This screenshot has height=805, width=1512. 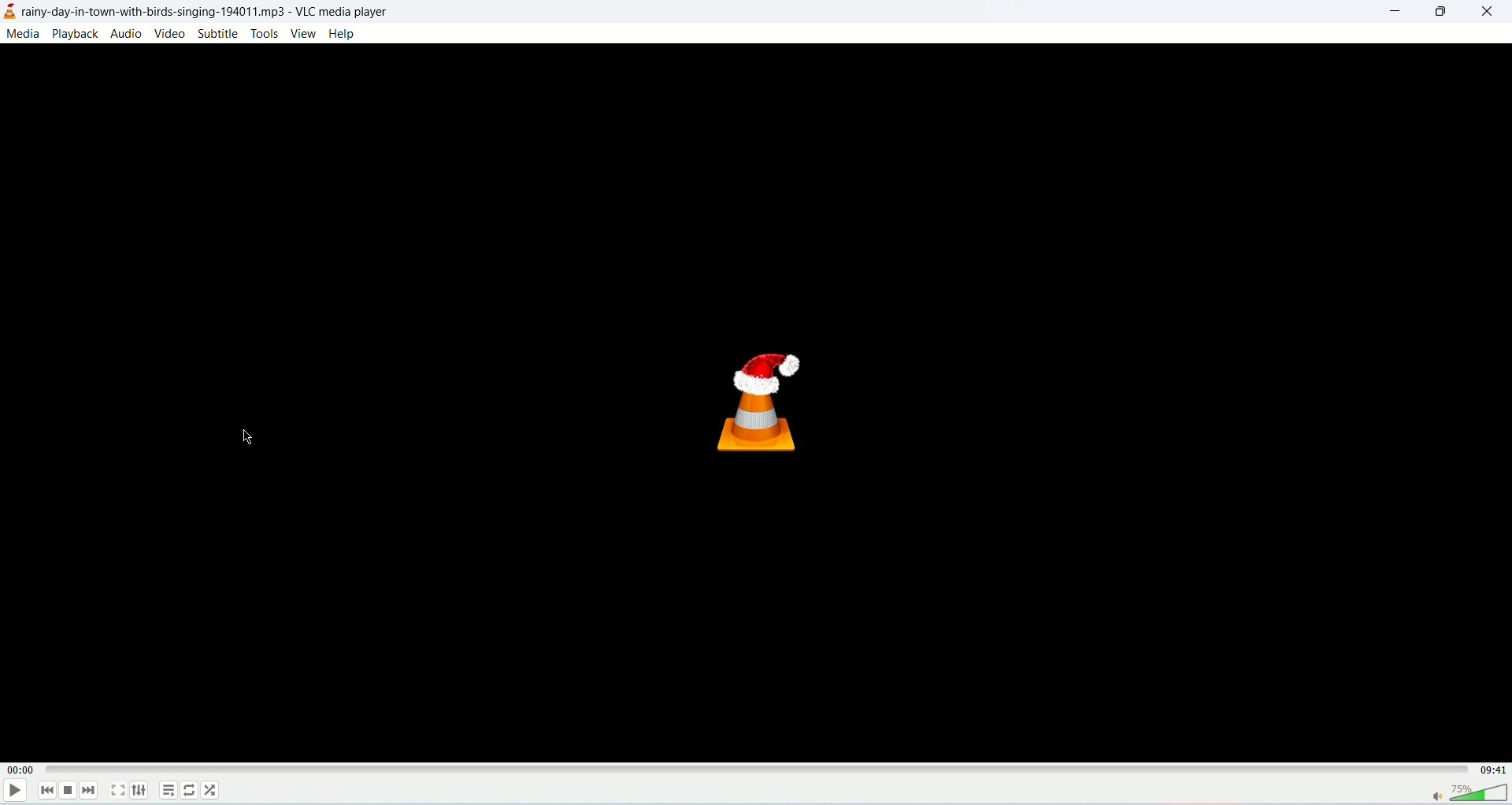 I want to click on previous, so click(x=46, y=791).